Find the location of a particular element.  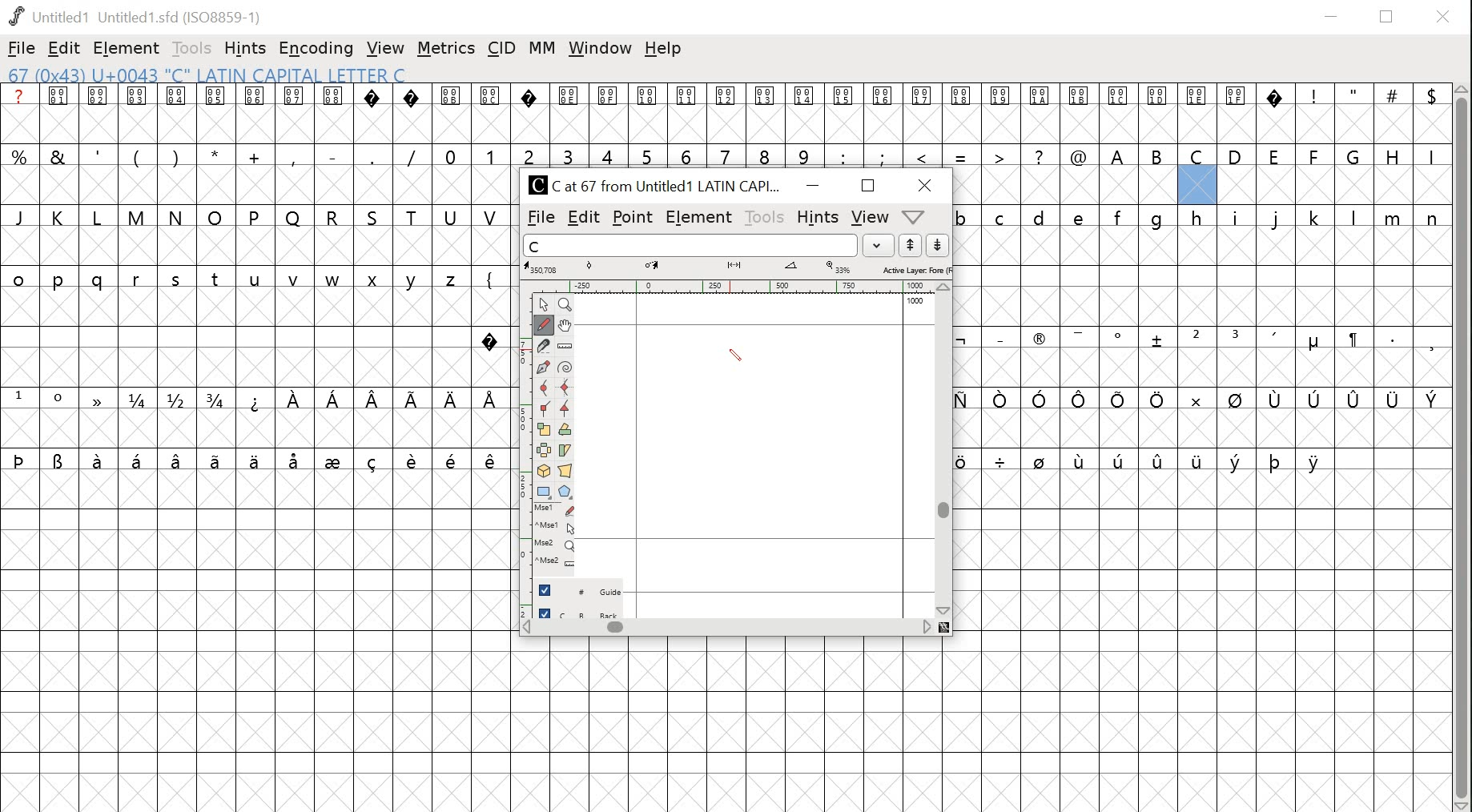

scale is located at coordinates (546, 429).